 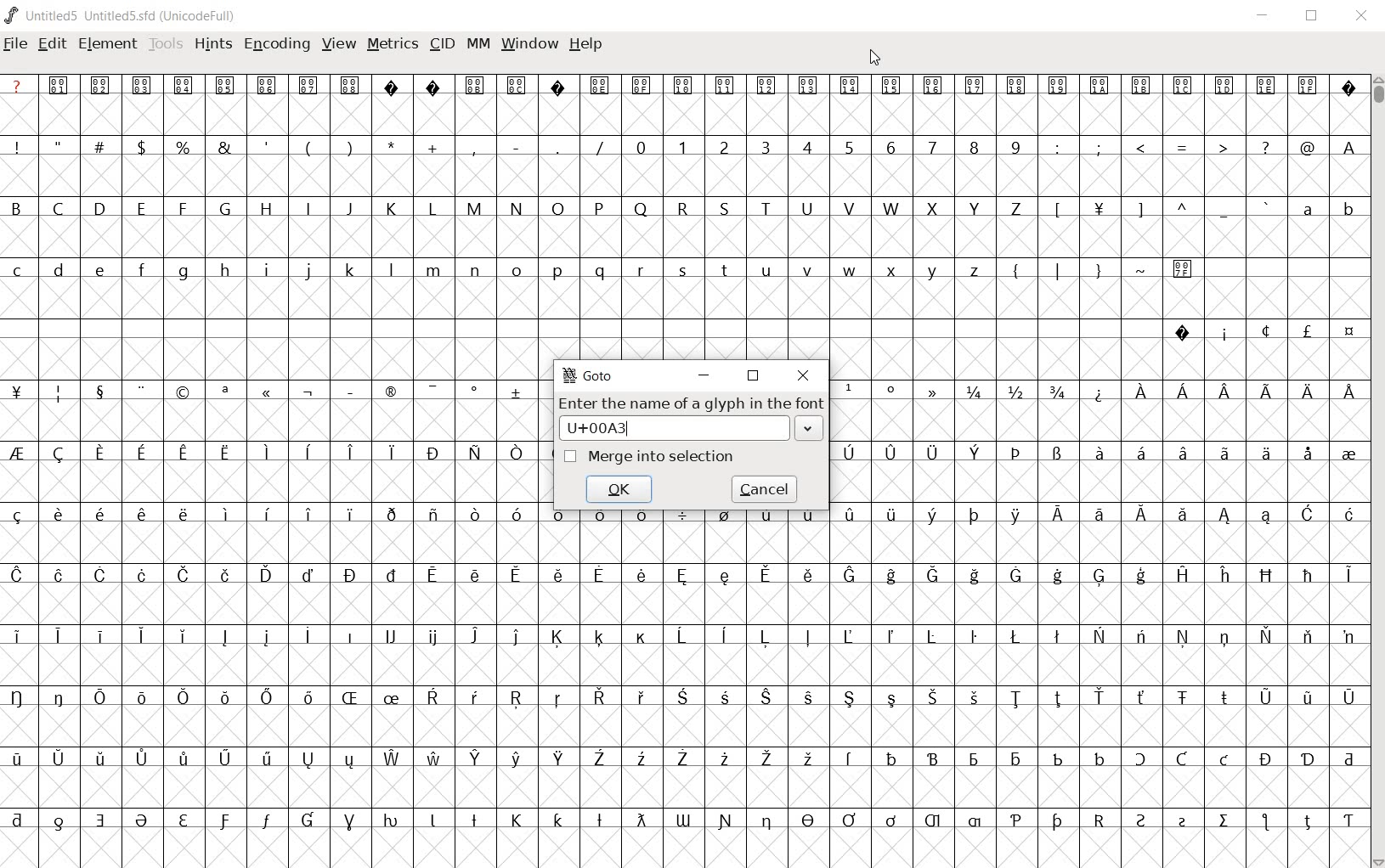 What do you see at coordinates (1265, 454) in the screenshot?
I see `Symbol` at bounding box center [1265, 454].